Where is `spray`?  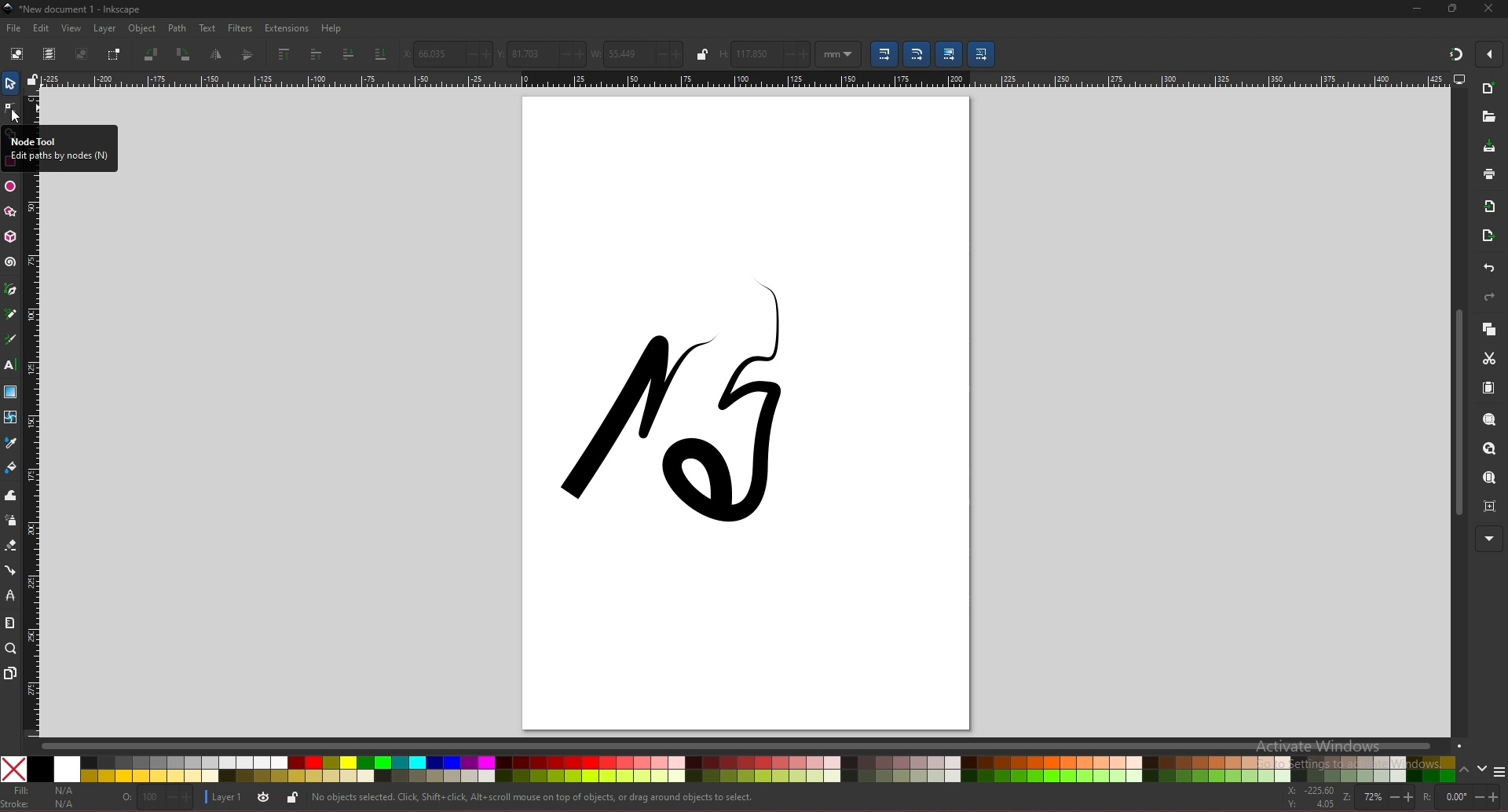
spray is located at coordinates (11, 521).